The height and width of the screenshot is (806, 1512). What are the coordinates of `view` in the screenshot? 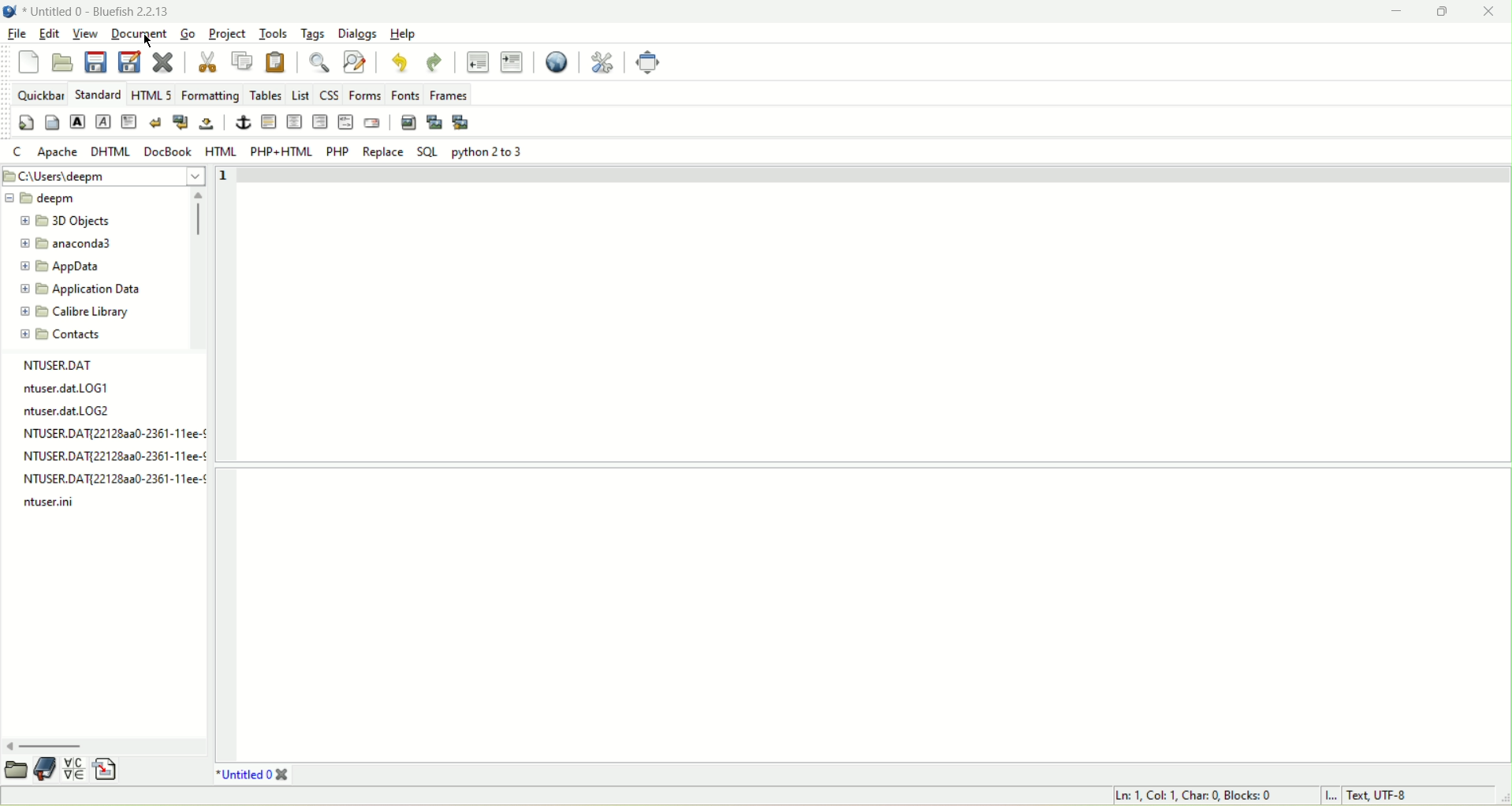 It's located at (88, 32).